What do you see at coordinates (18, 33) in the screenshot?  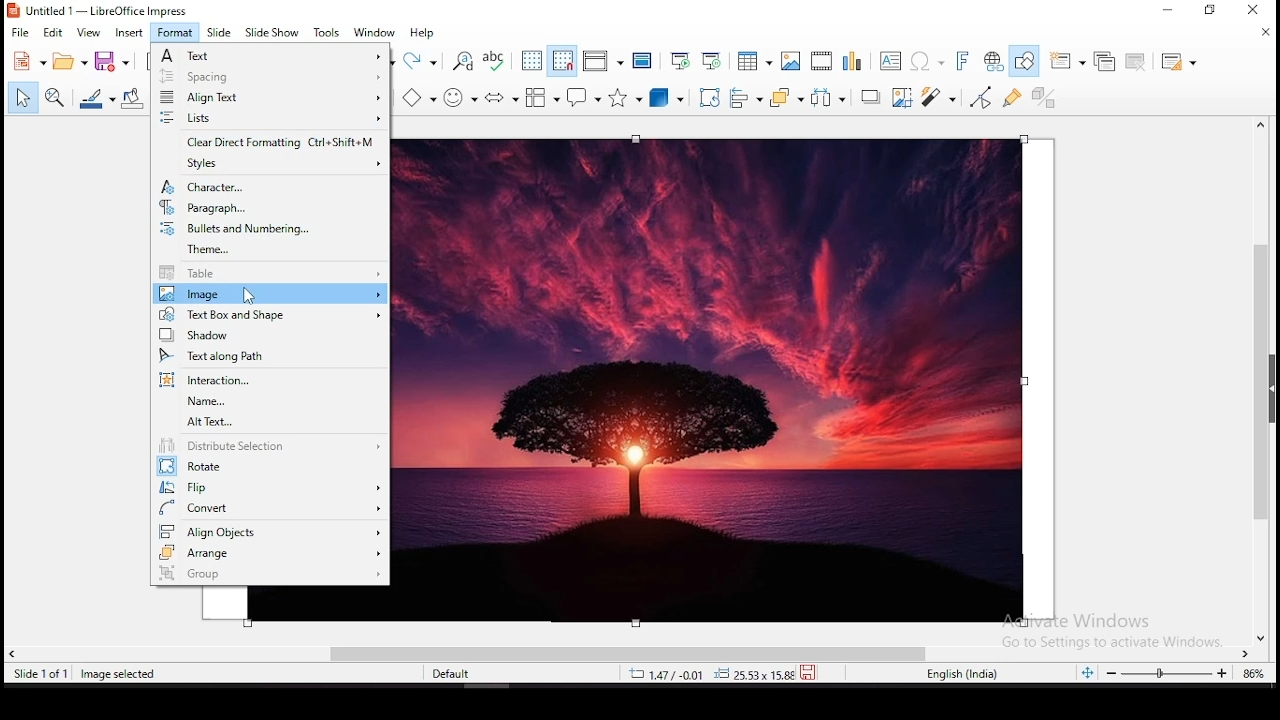 I see `file` at bounding box center [18, 33].